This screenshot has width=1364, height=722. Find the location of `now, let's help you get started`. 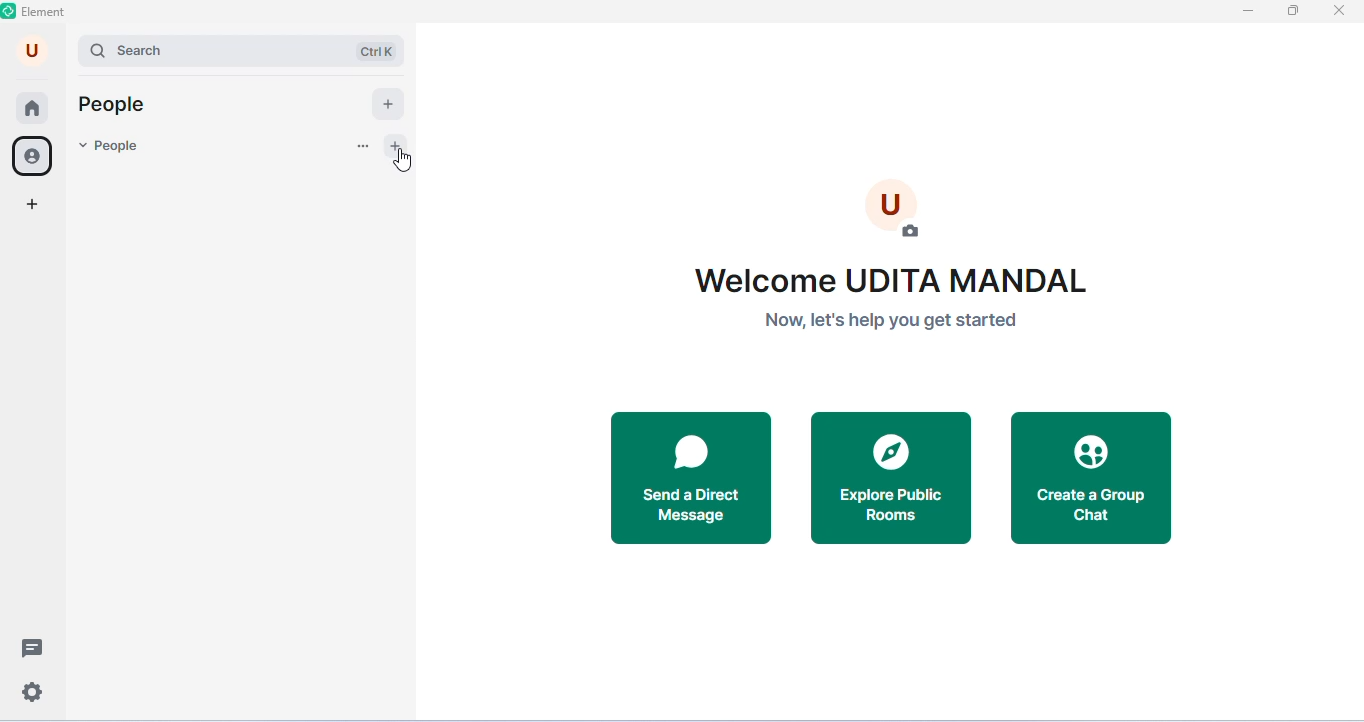

now, let's help you get started is located at coordinates (890, 319).